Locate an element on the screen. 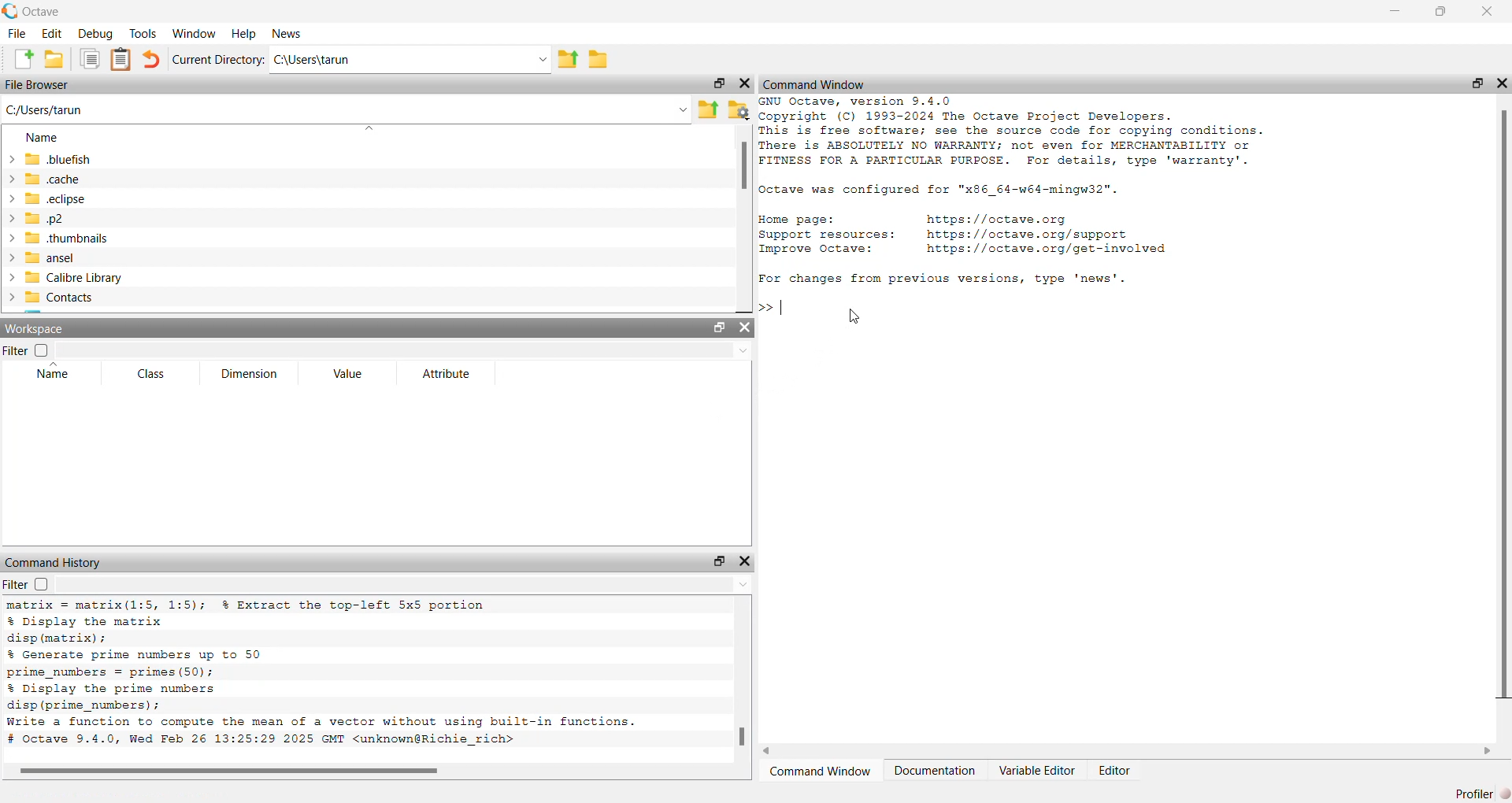 The image size is (1512, 803). Current Directory: is located at coordinates (219, 60).